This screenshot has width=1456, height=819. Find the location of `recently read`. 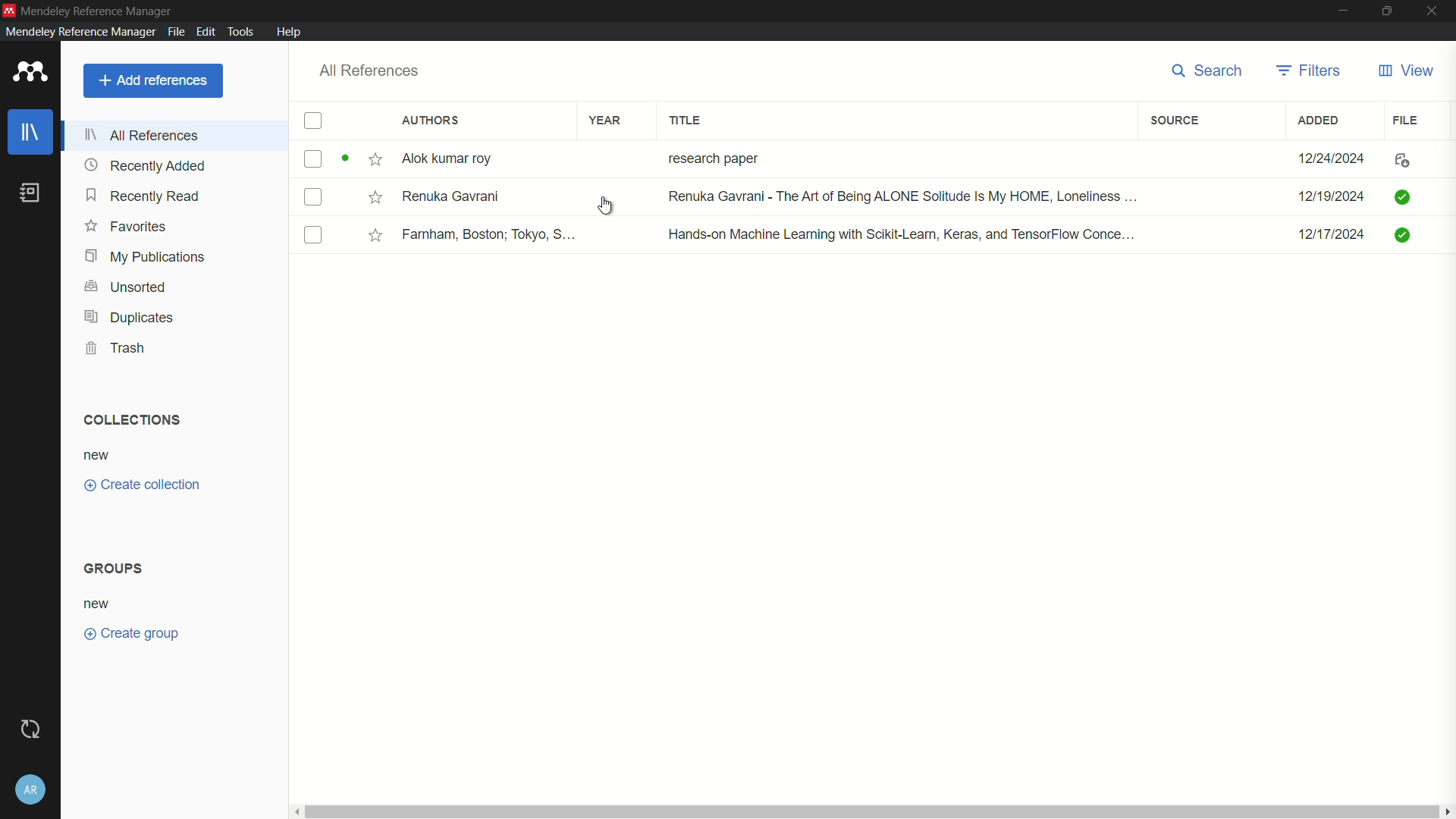

recently read is located at coordinates (145, 196).